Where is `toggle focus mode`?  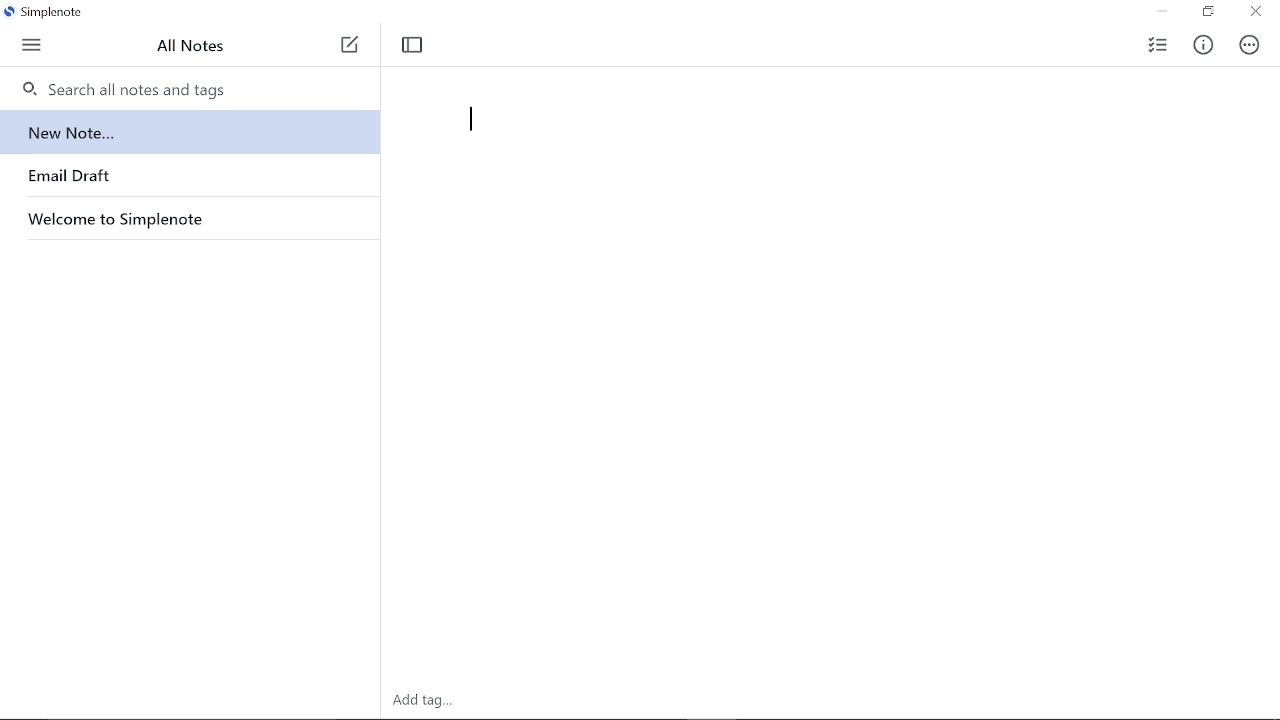 toggle focus mode is located at coordinates (414, 44).